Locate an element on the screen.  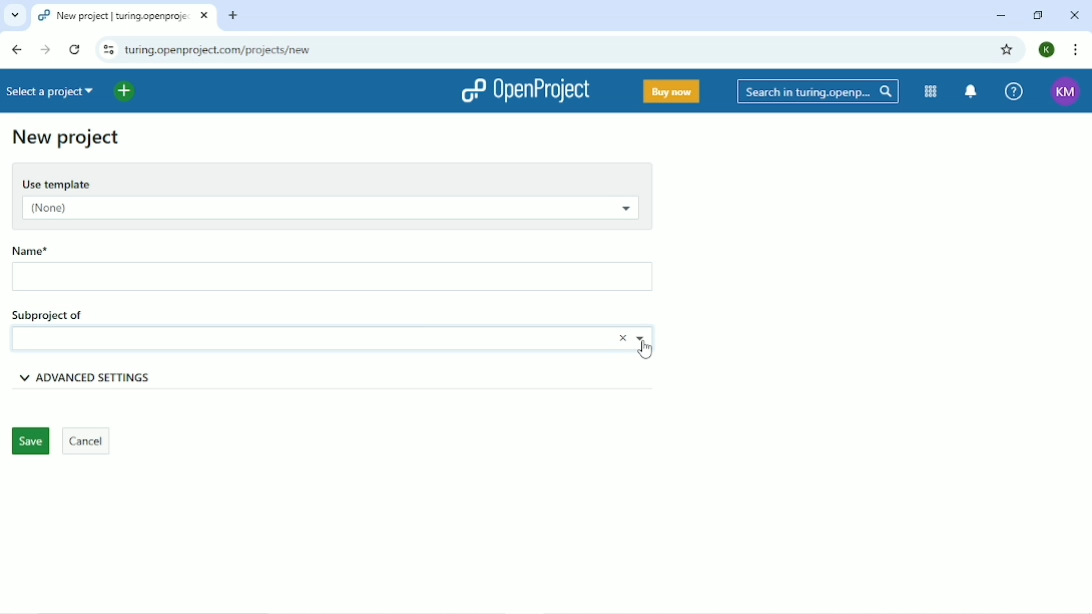
Close is located at coordinates (616, 338).